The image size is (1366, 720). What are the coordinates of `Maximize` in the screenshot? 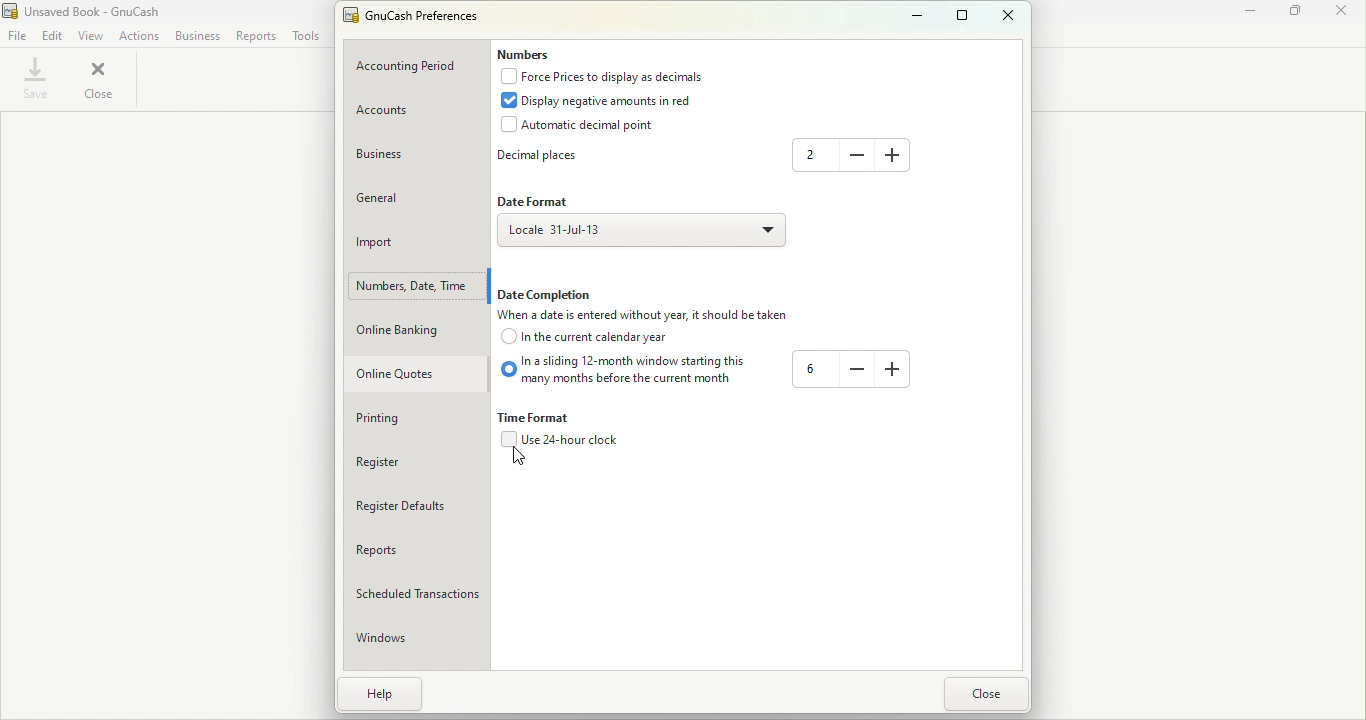 It's located at (1293, 13).